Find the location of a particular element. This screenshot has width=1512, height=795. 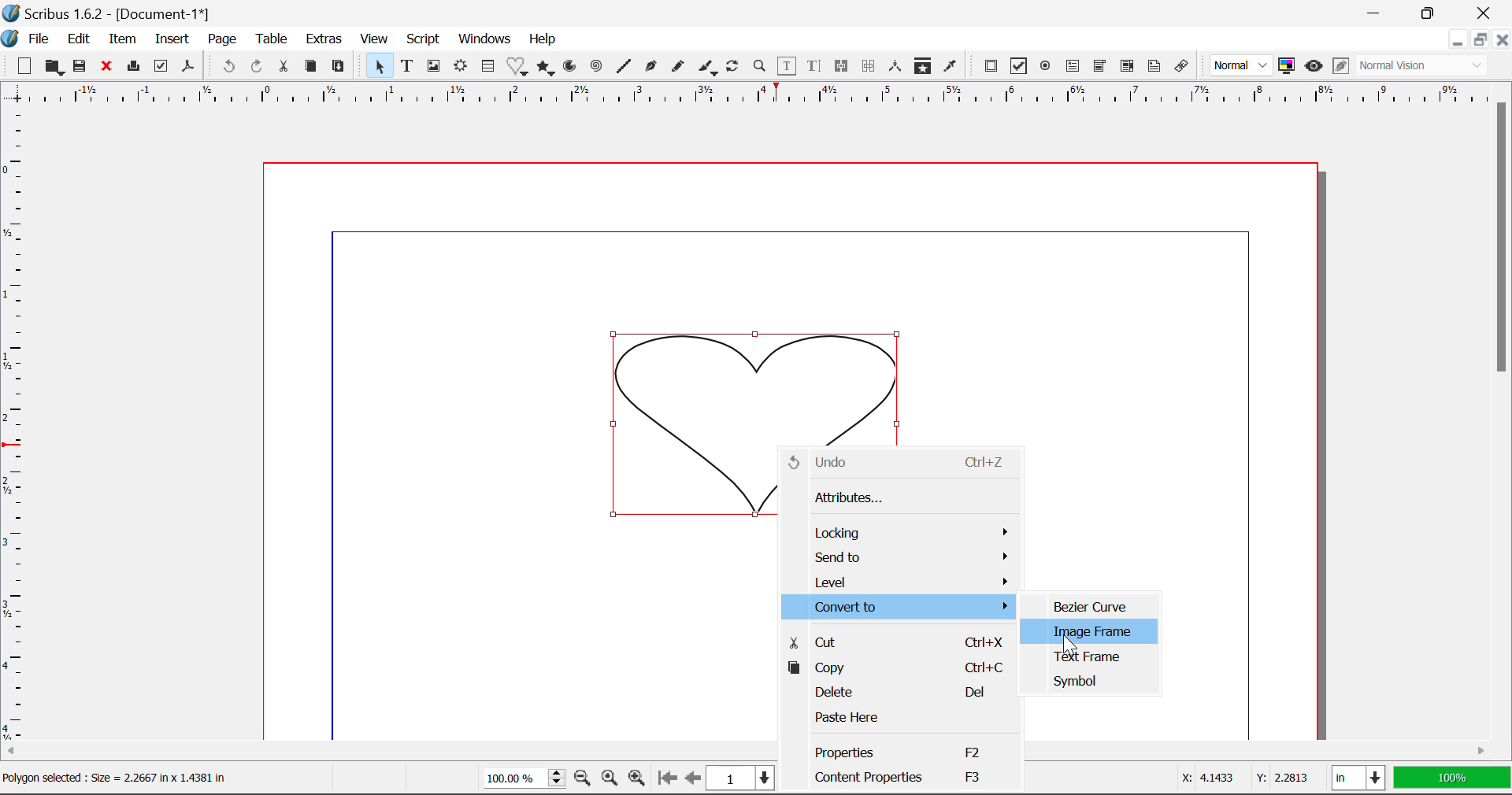

Pdf Radio Button is located at coordinates (1047, 68).